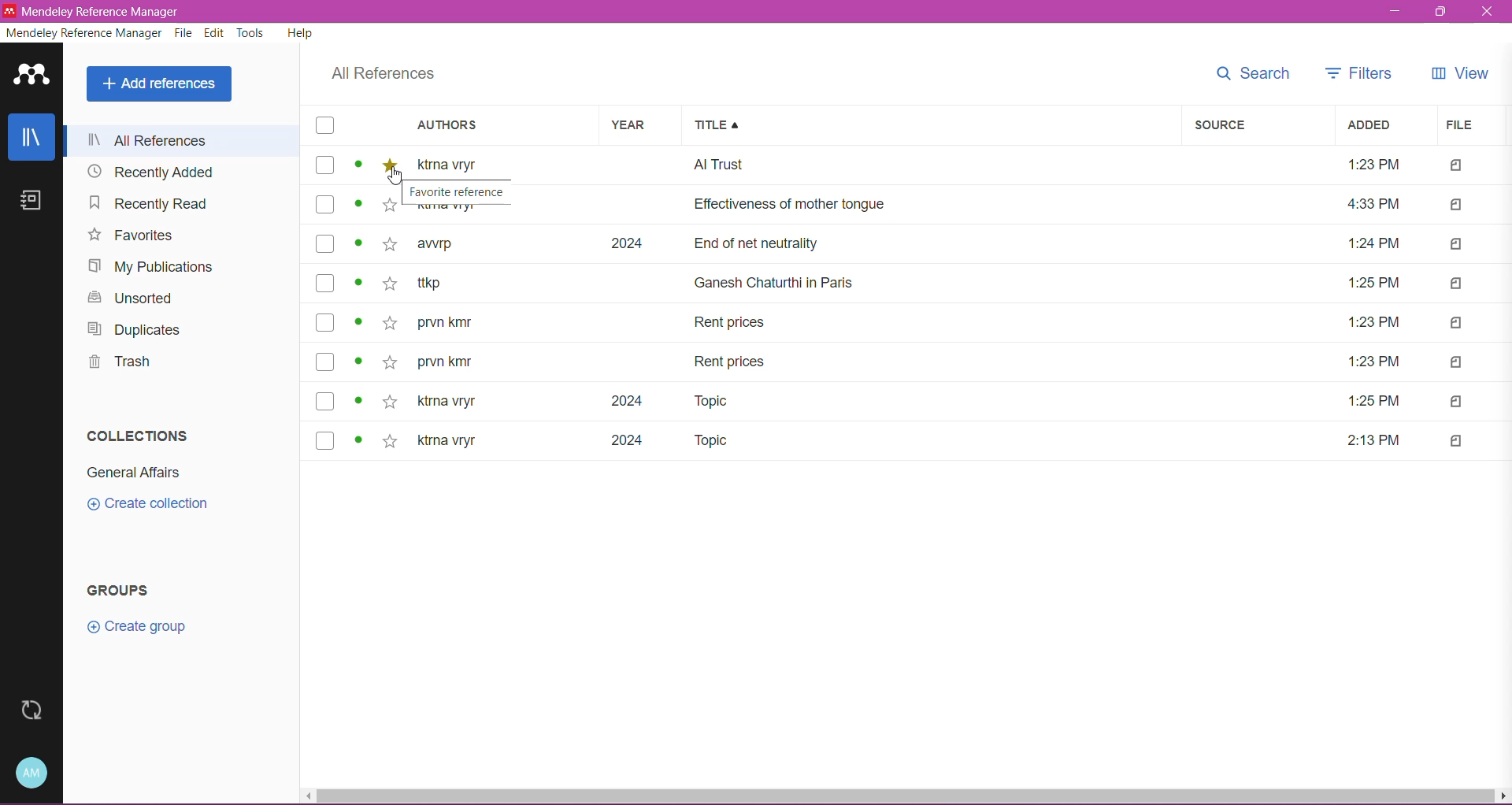 Image resolution: width=1512 pixels, height=805 pixels. I want to click on Click to see more details, so click(358, 203).